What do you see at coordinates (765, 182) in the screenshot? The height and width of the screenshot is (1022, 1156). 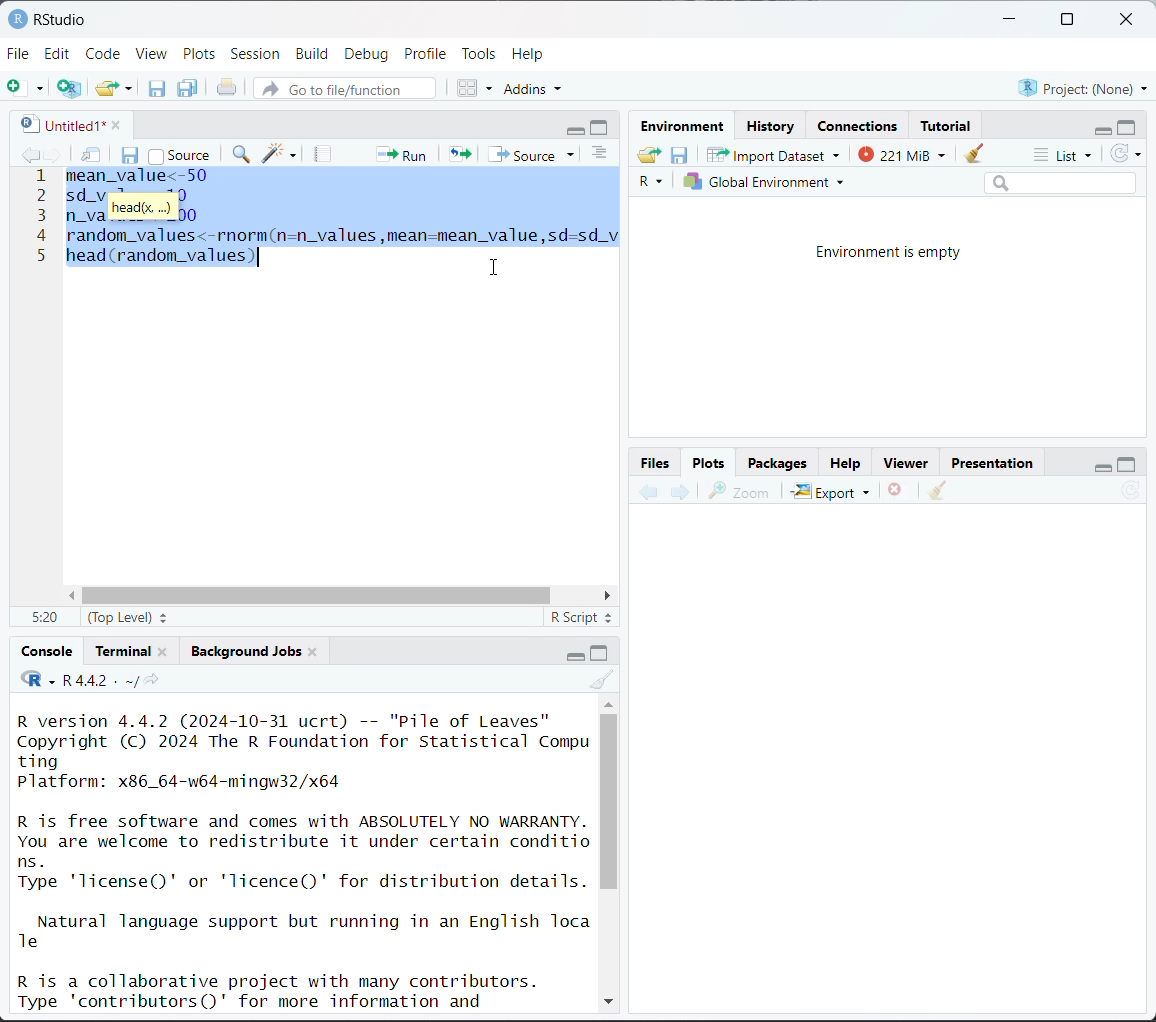 I see `Global environment` at bounding box center [765, 182].